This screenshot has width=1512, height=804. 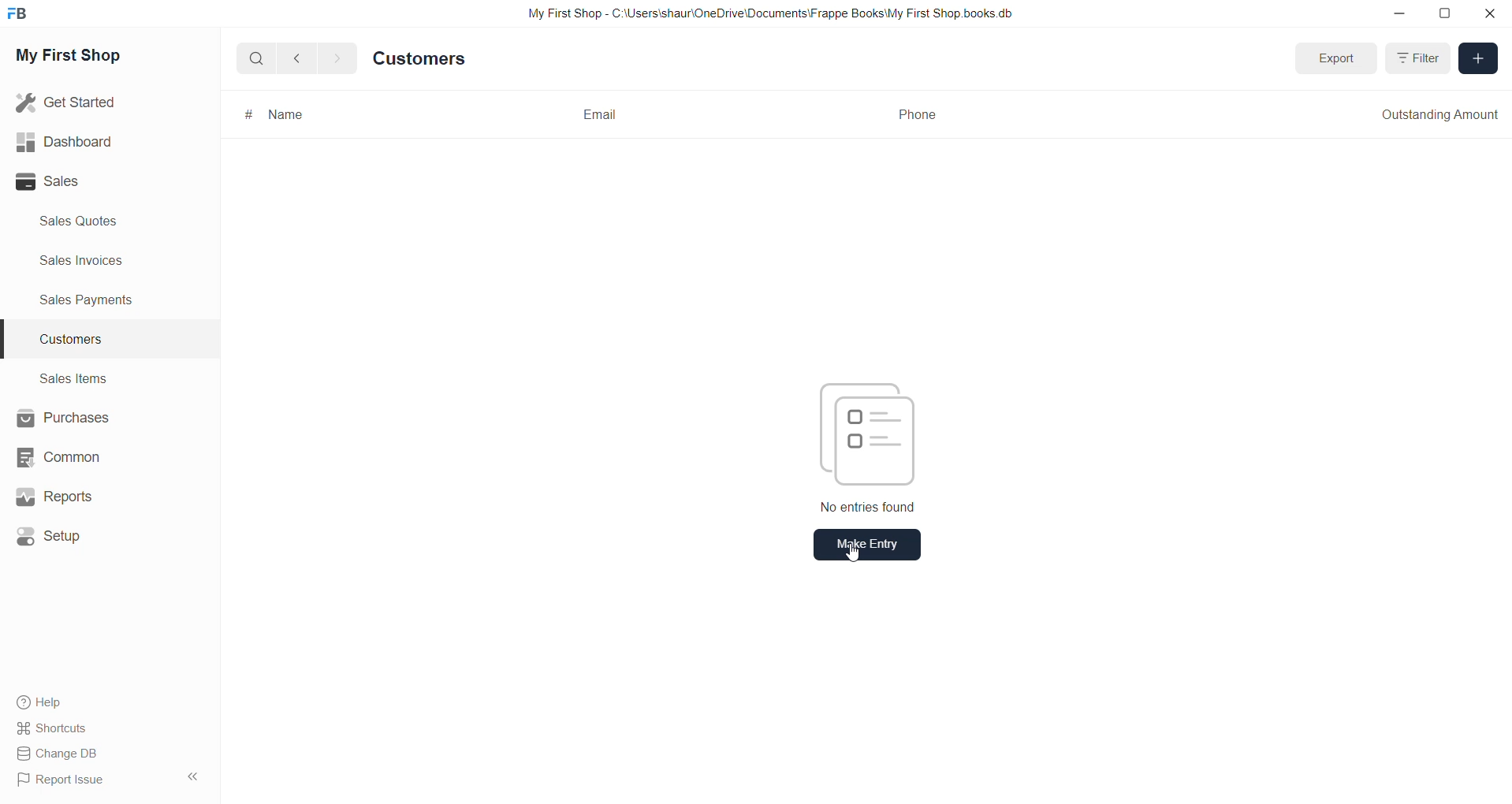 I want to click on Dashboard, so click(x=61, y=140).